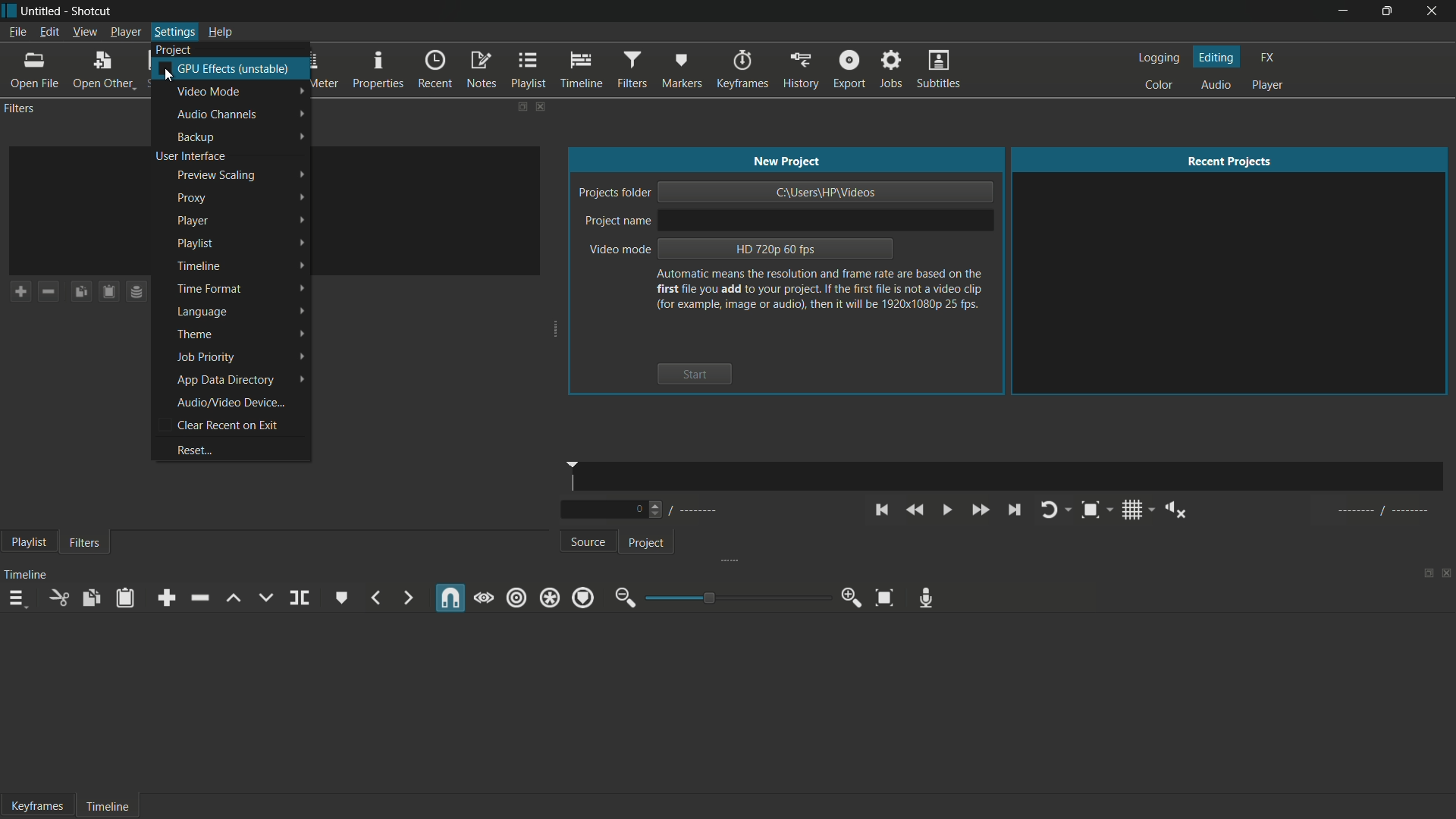  I want to click on playlist, so click(27, 543).